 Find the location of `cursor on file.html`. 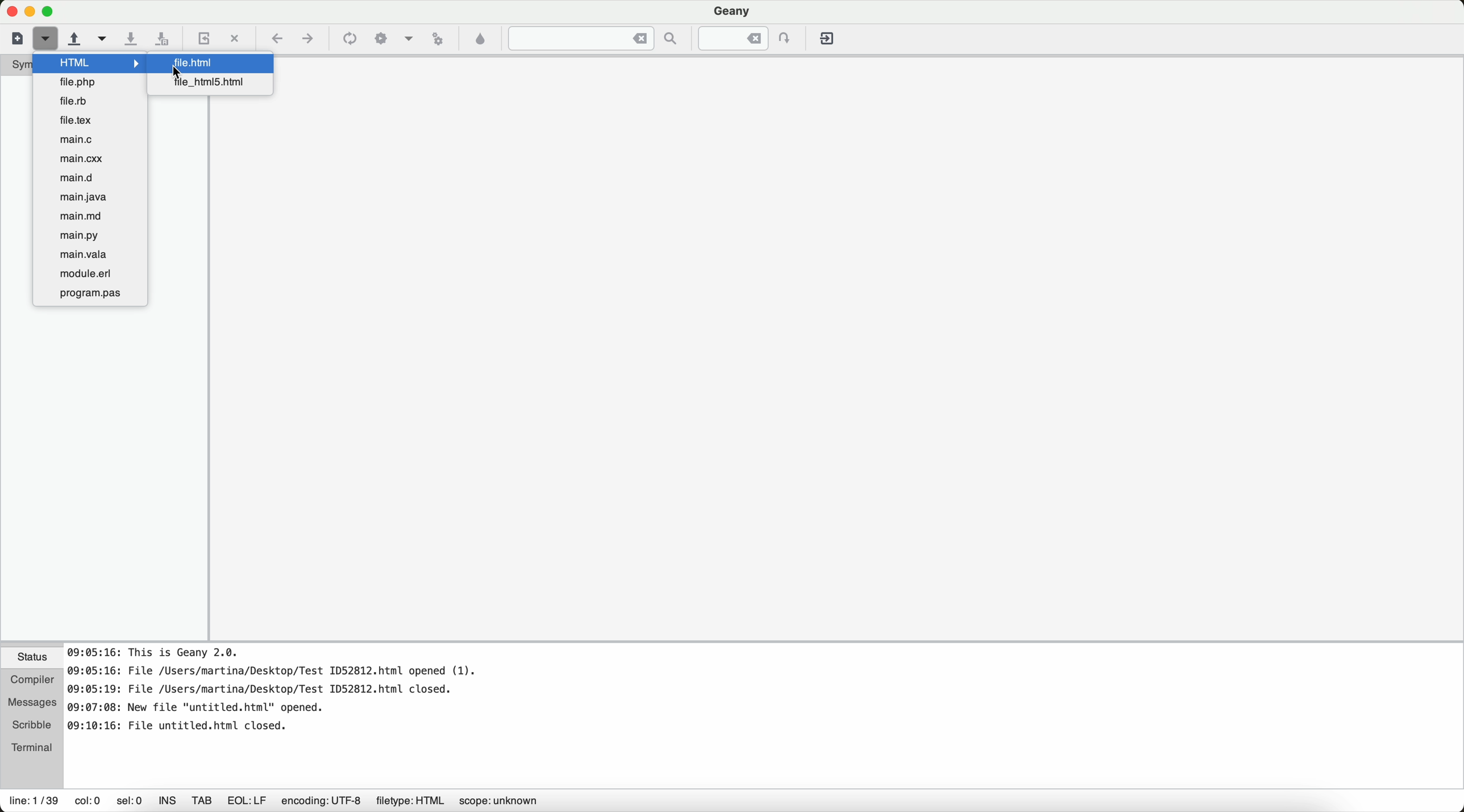

cursor on file.html is located at coordinates (210, 62).